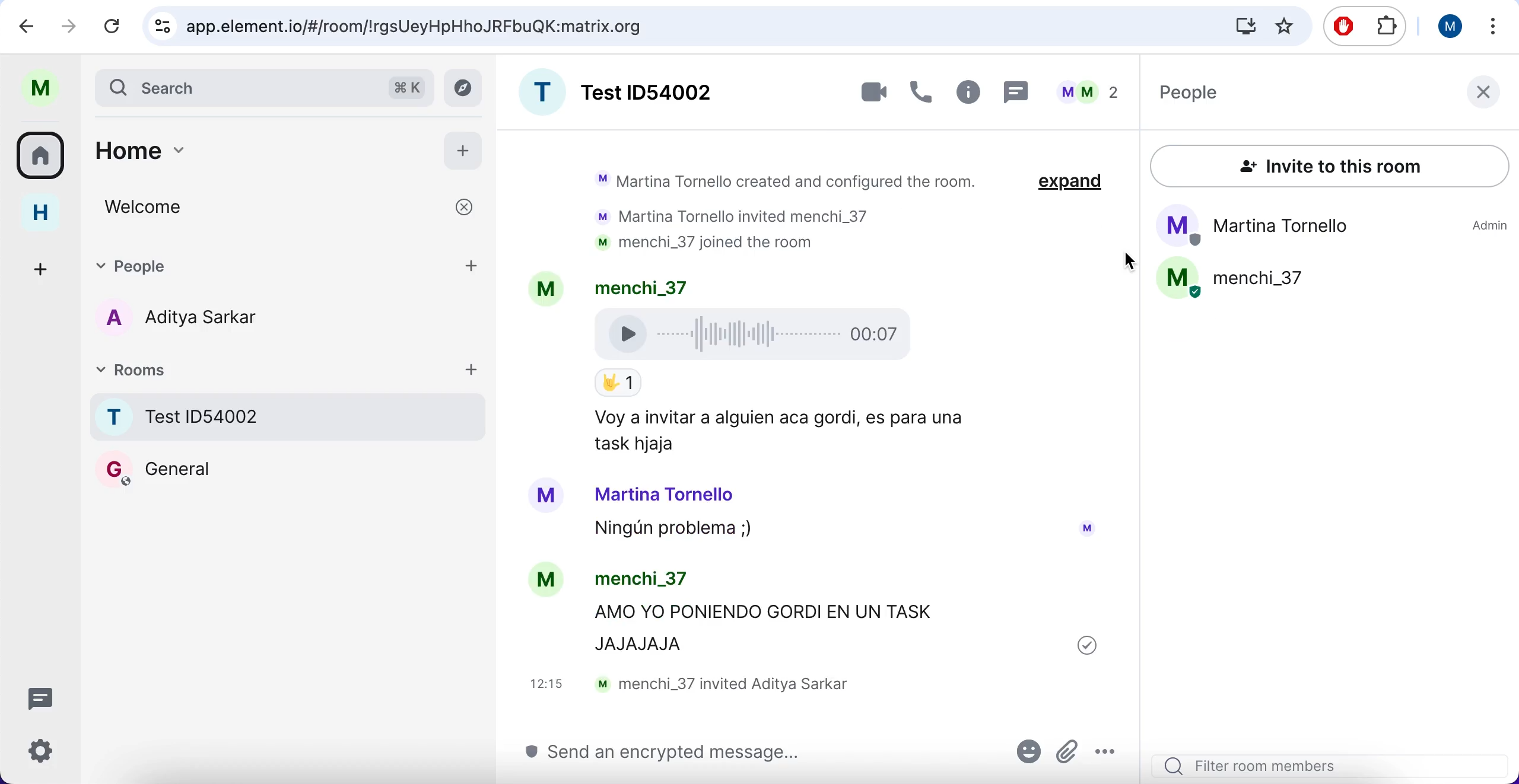 The width and height of the screenshot is (1519, 784). Describe the element at coordinates (462, 88) in the screenshot. I see `view archive` at that location.